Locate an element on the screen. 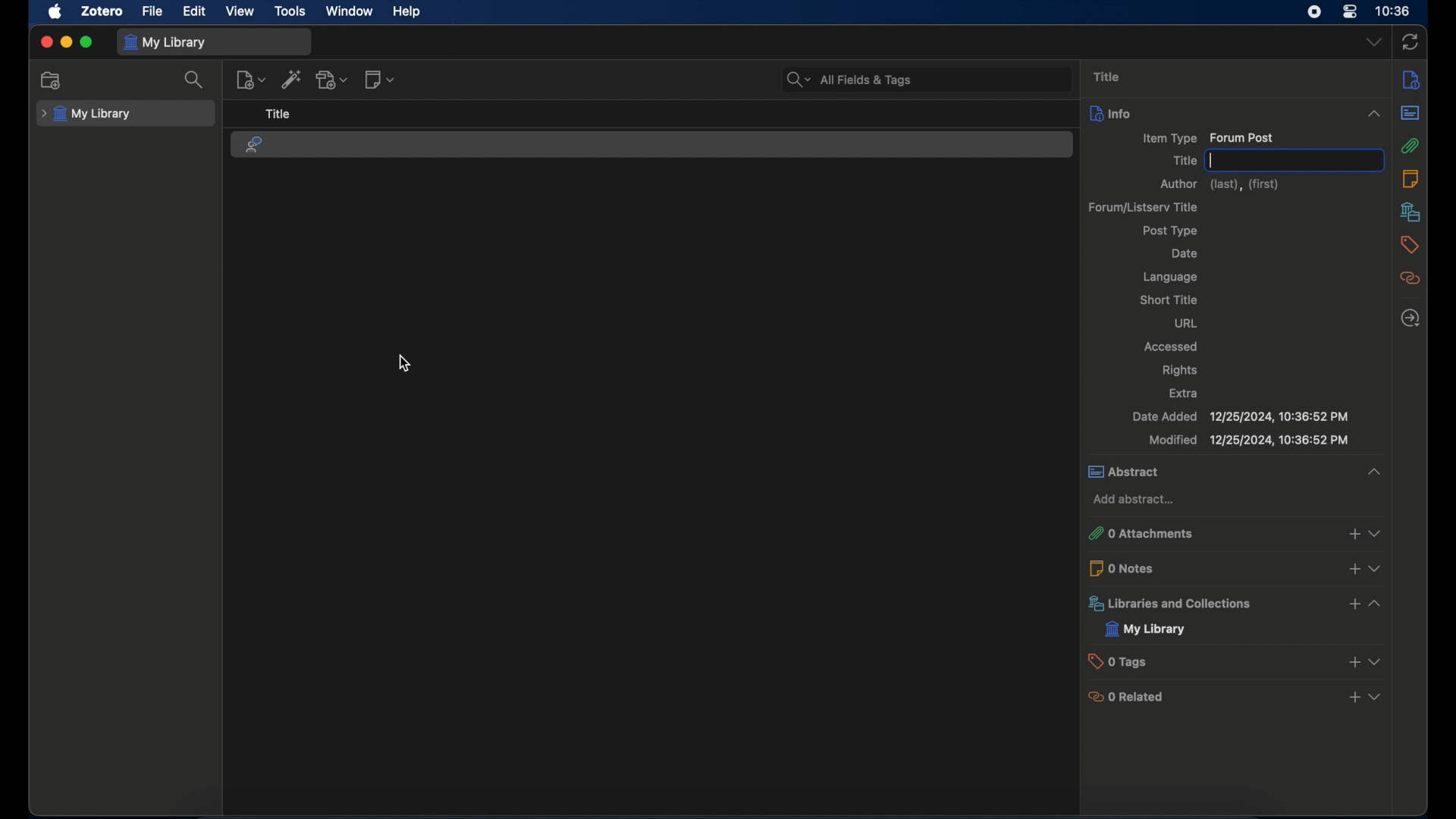 The height and width of the screenshot is (819, 1456). zotero is located at coordinates (102, 11).